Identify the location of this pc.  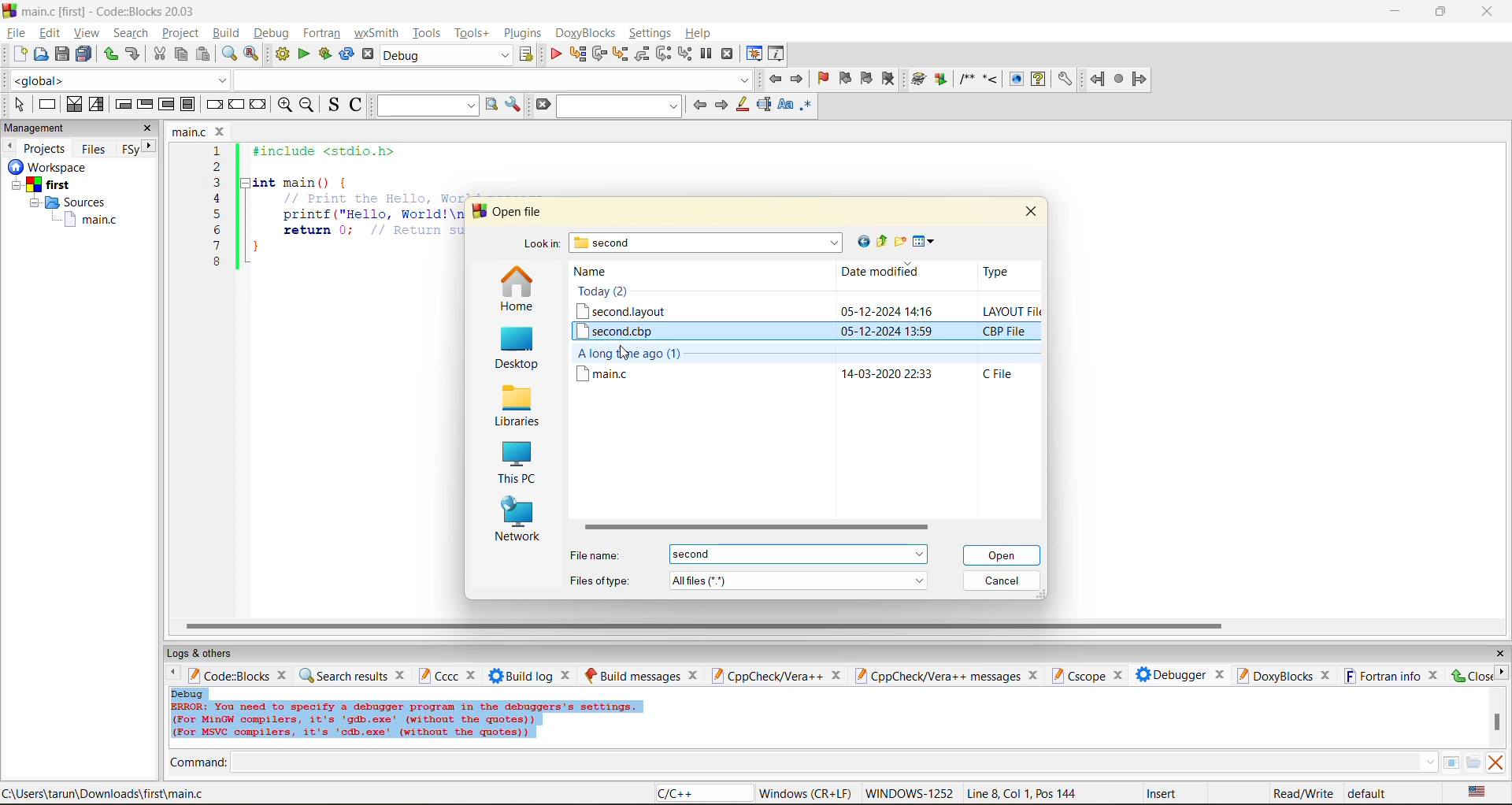
(515, 465).